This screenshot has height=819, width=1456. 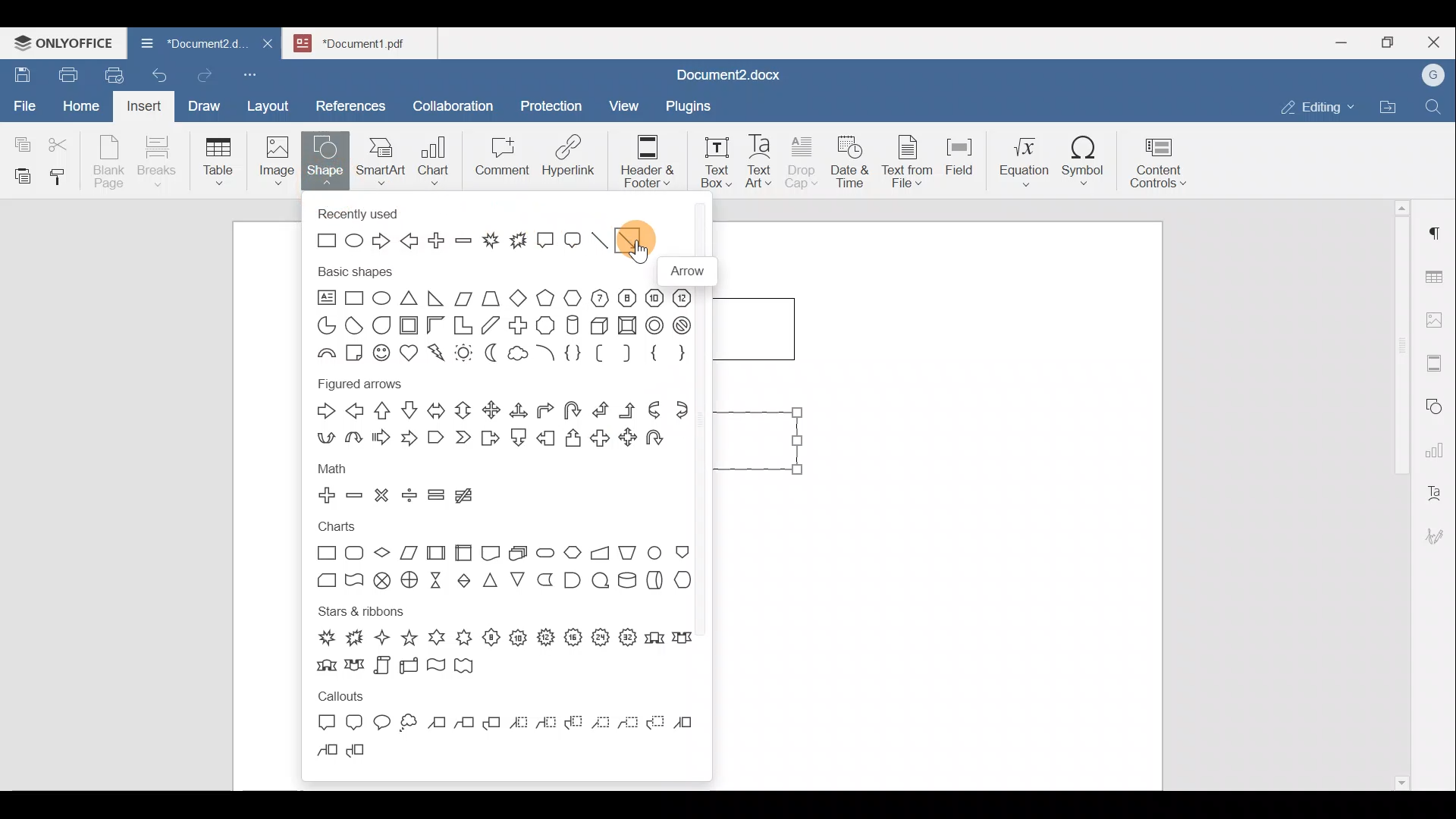 What do you see at coordinates (1437, 275) in the screenshot?
I see `Table settings` at bounding box center [1437, 275].